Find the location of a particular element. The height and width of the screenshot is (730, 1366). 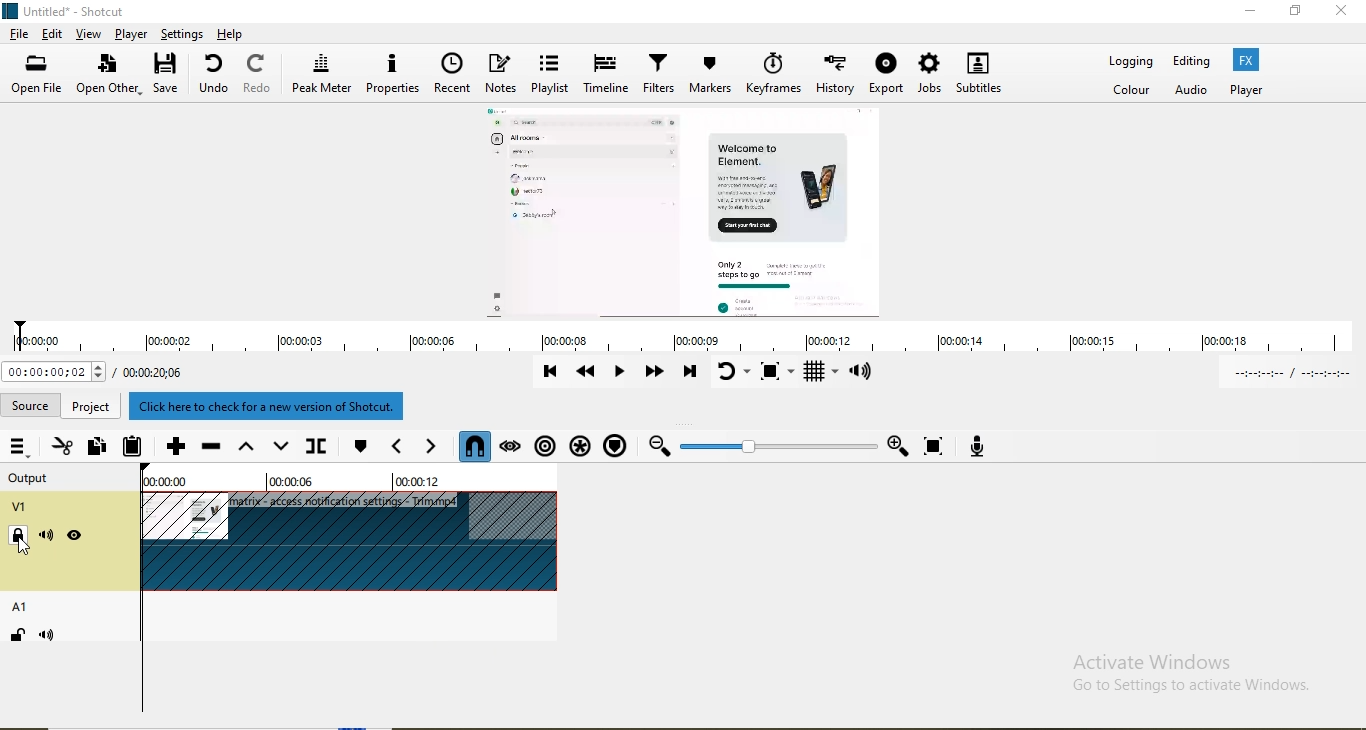

Open other  is located at coordinates (109, 77).